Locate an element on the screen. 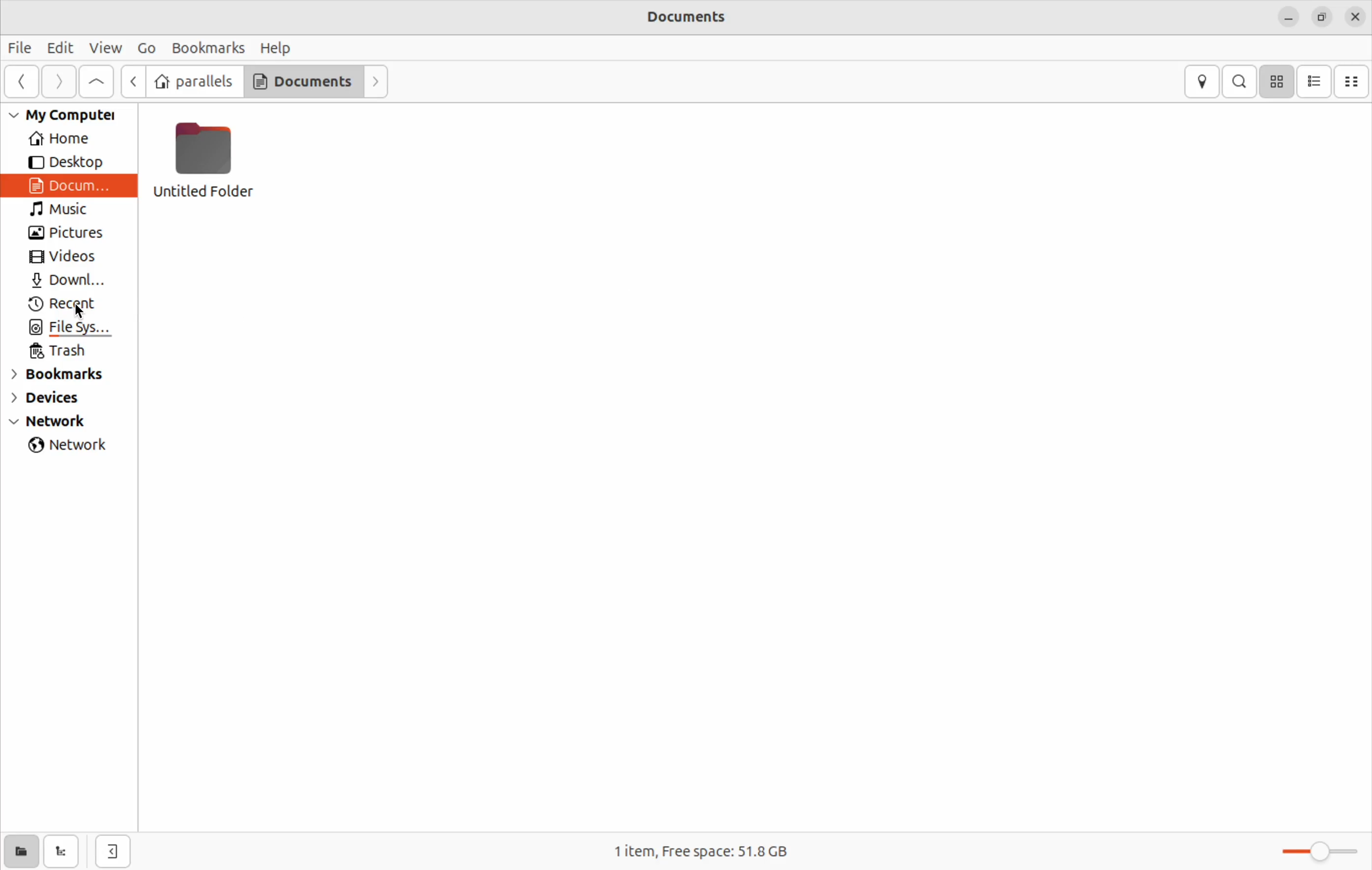 The width and height of the screenshot is (1372, 870). help is located at coordinates (277, 48).